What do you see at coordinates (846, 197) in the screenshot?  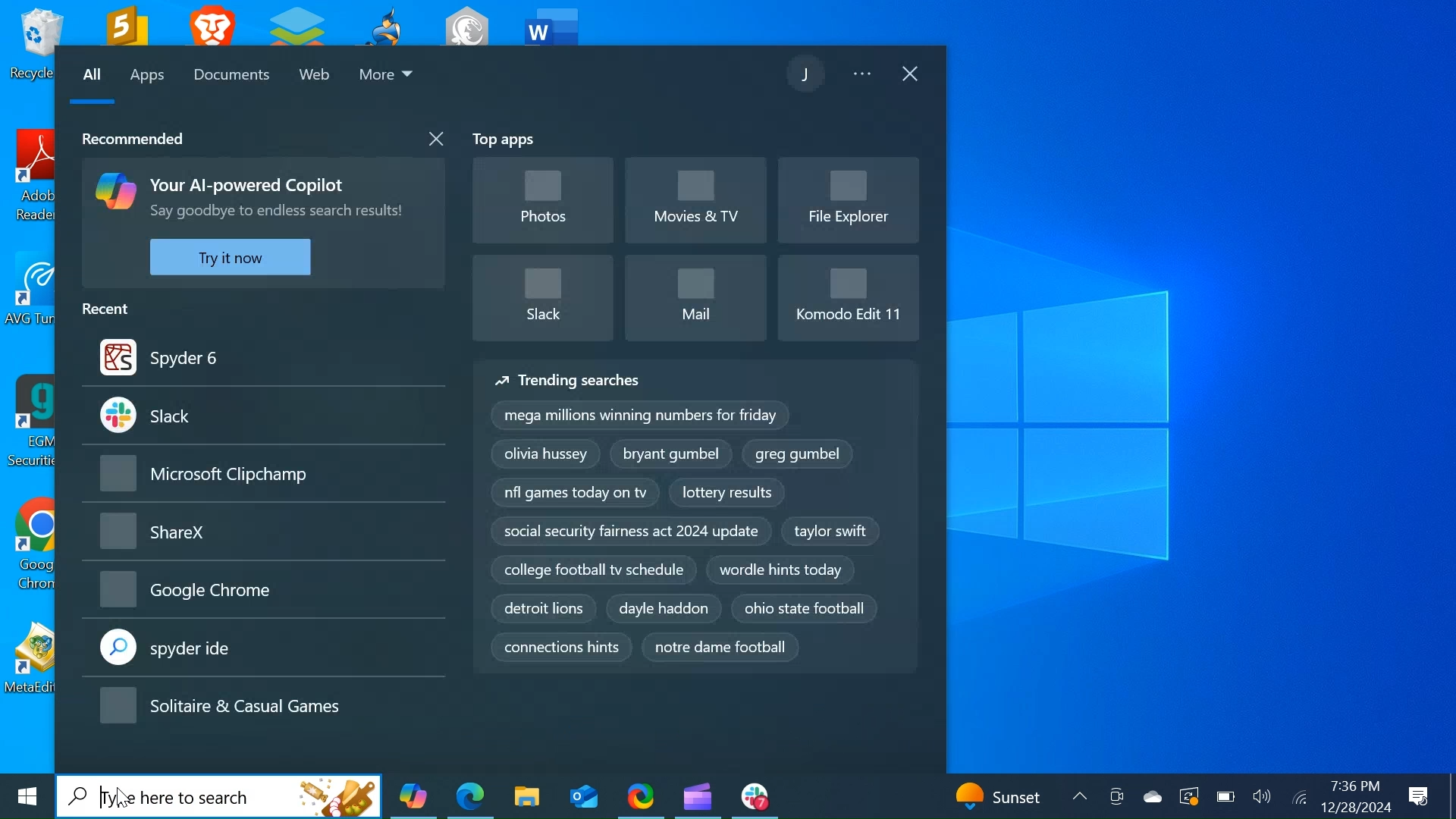 I see `File Explorer` at bounding box center [846, 197].